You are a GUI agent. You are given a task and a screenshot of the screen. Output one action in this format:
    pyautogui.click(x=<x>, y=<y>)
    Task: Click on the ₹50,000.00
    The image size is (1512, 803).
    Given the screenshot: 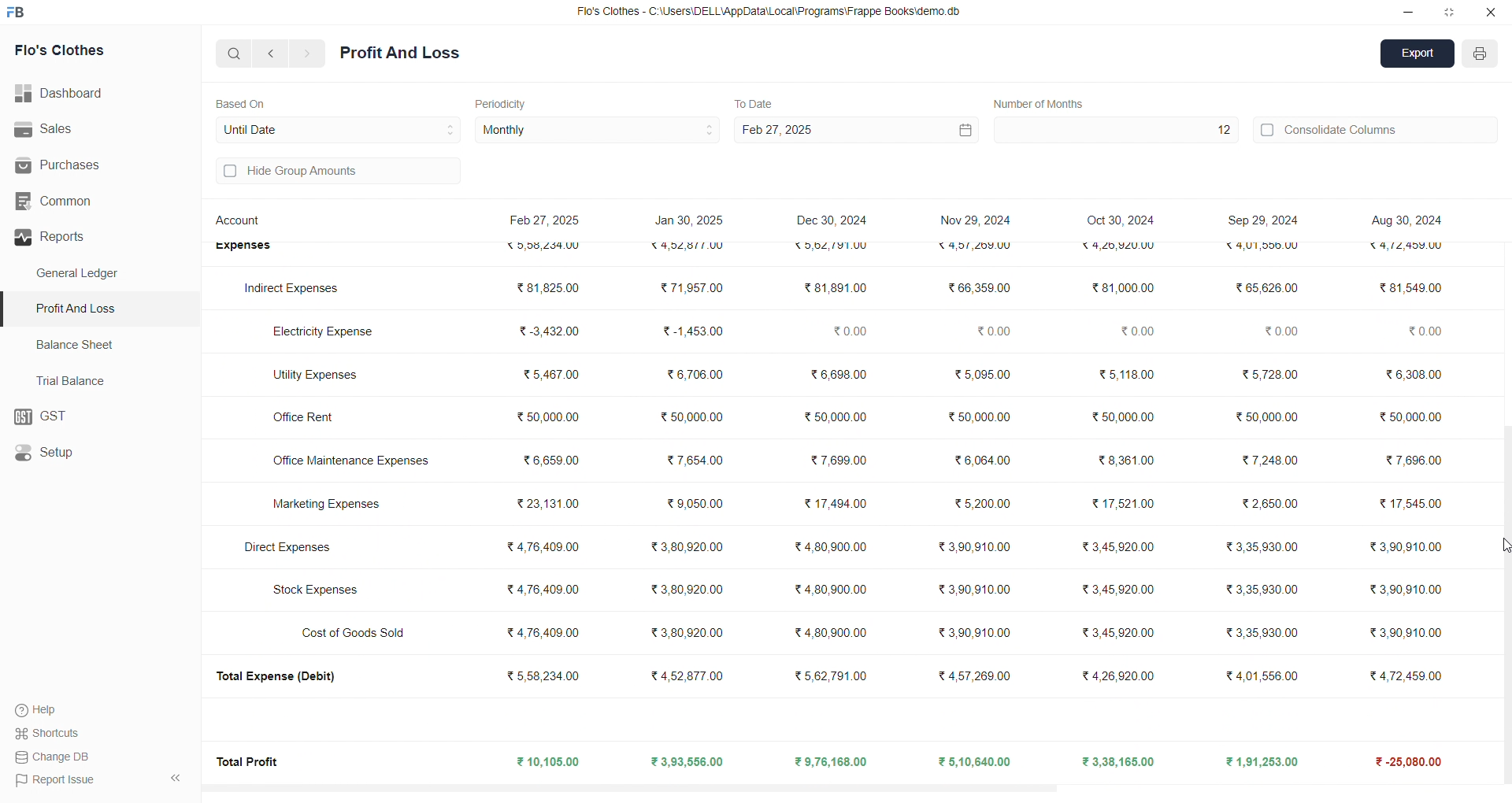 What is the action you would take?
    pyautogui.click(x=980, y=417)
    